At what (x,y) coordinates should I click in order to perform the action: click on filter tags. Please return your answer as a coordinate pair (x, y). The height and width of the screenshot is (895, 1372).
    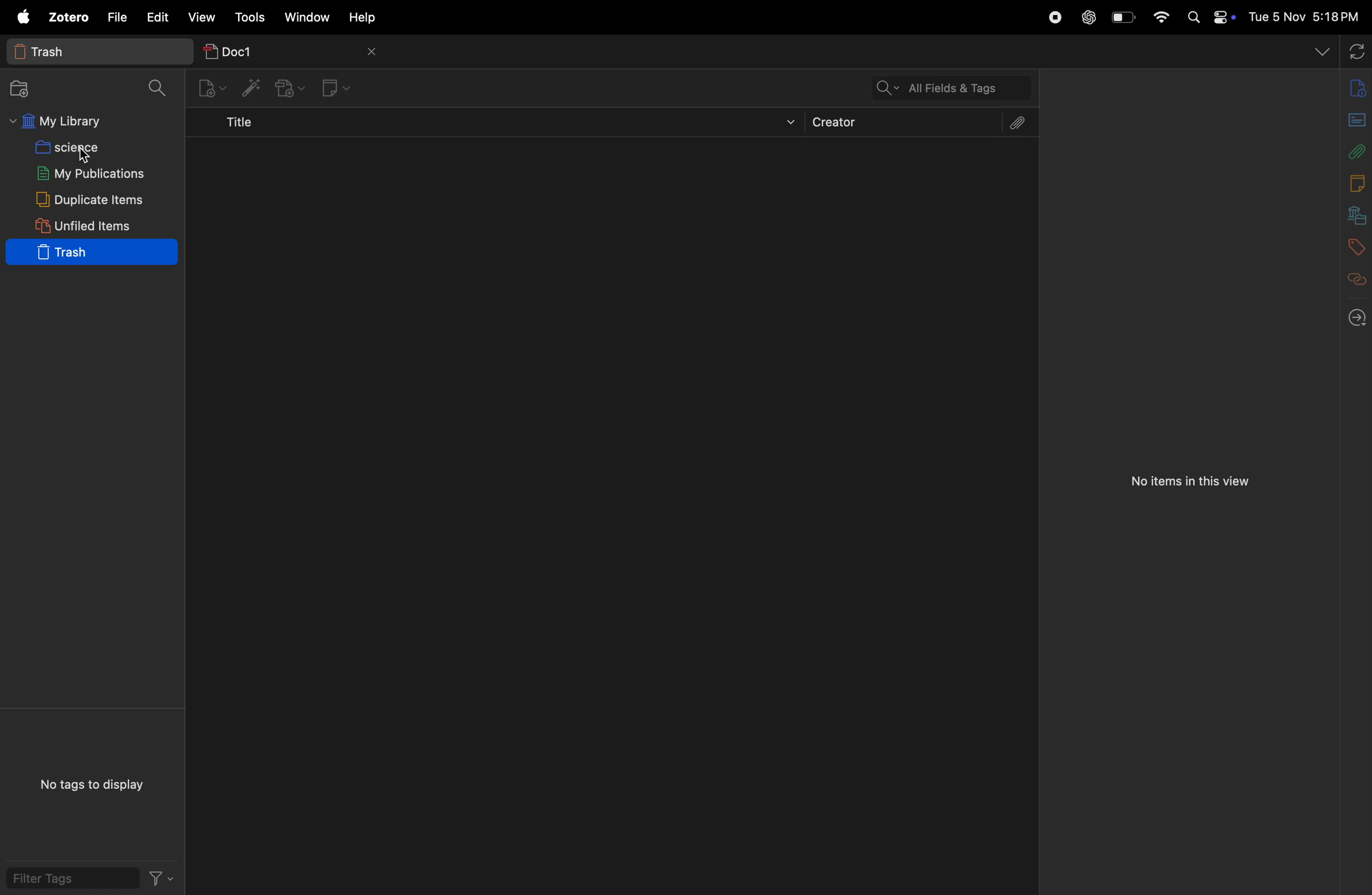
    Looking at the image, I should click on (92, 881).